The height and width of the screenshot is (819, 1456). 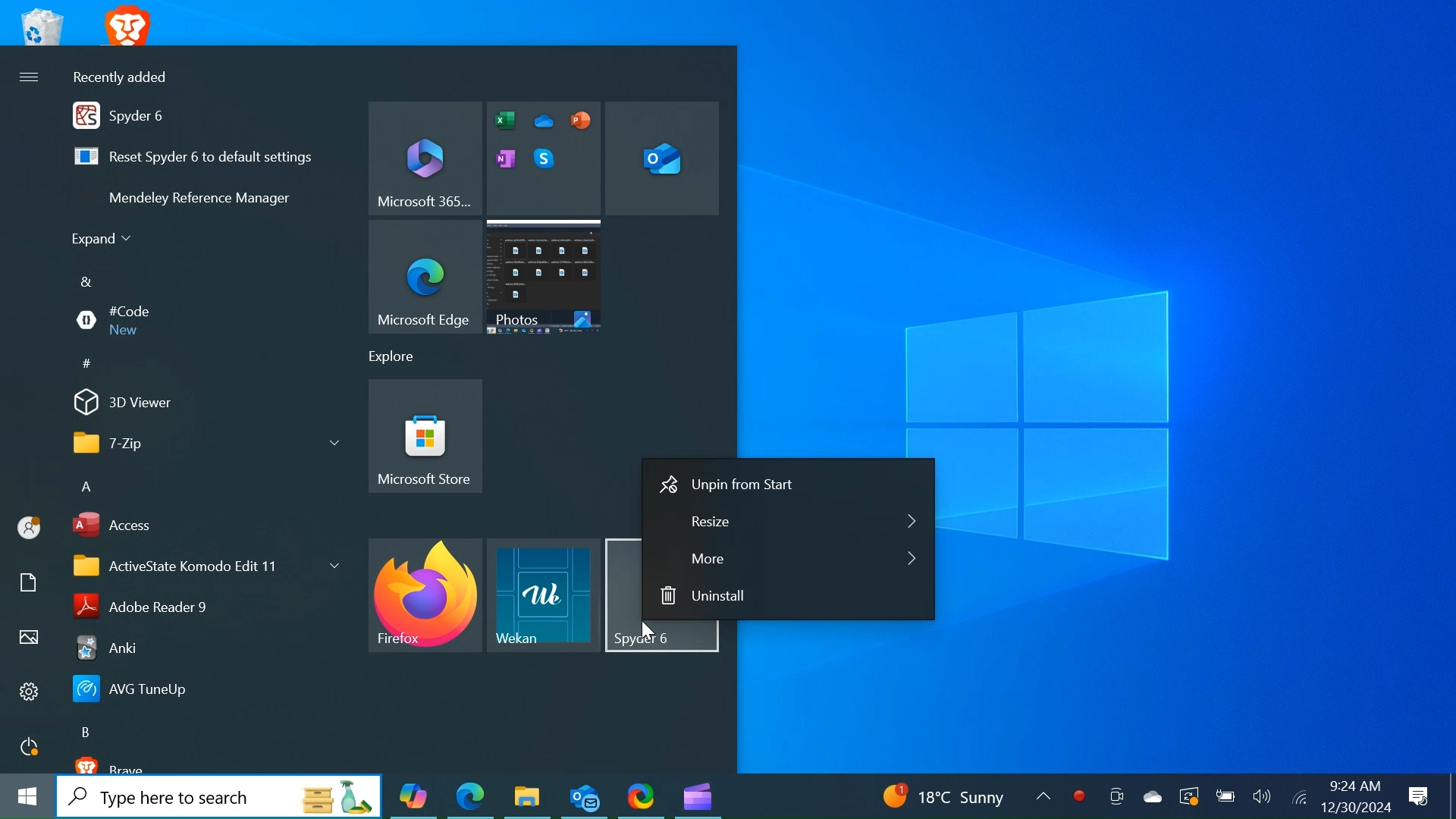 I want to click on Microsoft Store, so click(x=426, y=437).